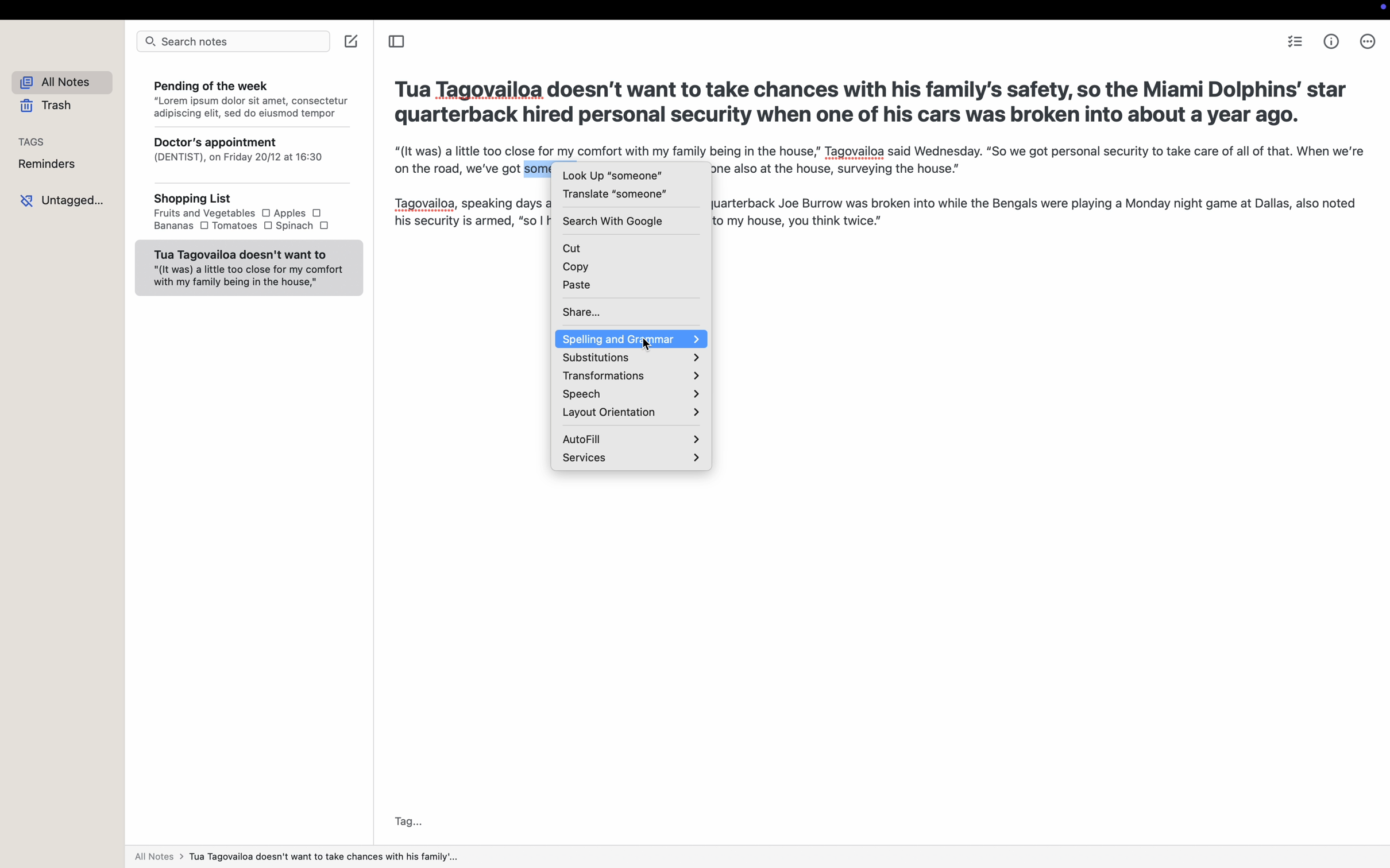 The width and height of the screenshot is (1390, 868). I want to click on copy, so click(633, 268).